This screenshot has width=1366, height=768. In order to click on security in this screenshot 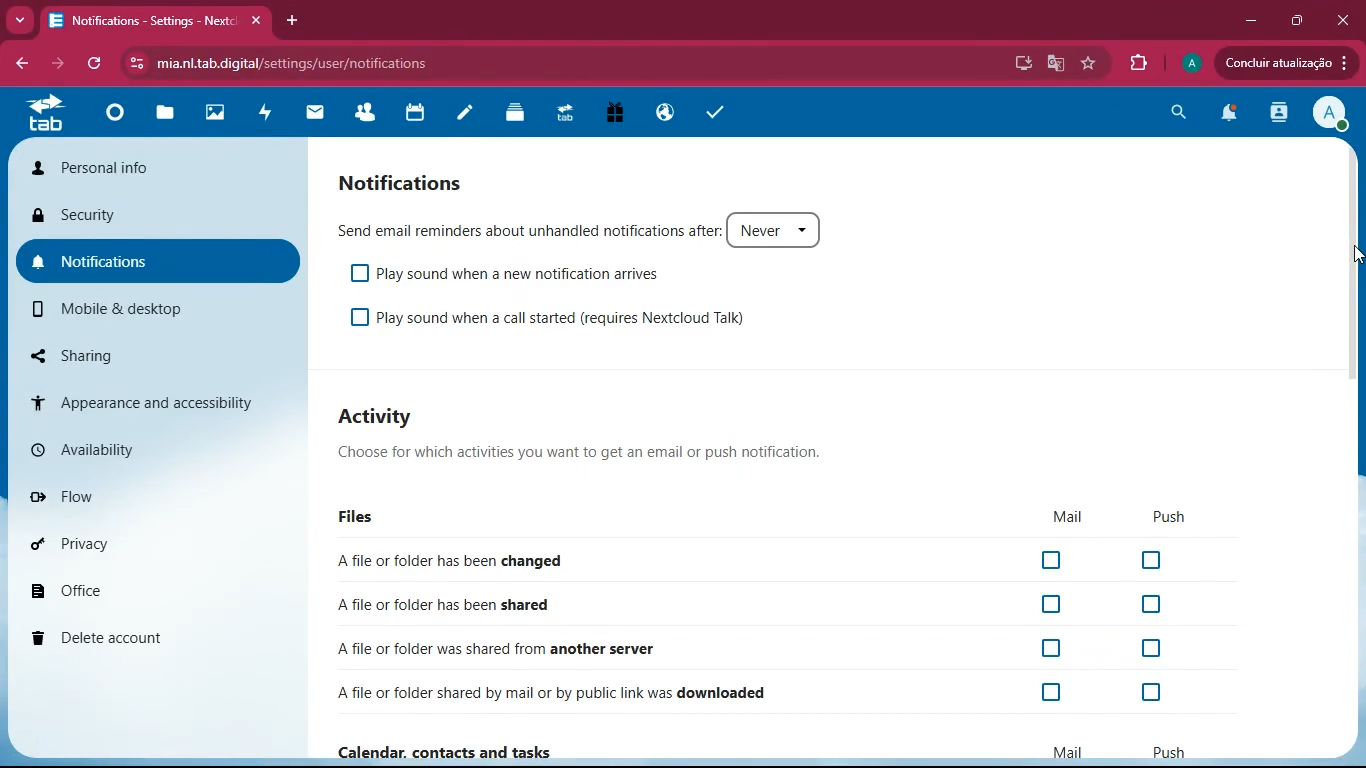, I will do `click(149, 213)`.